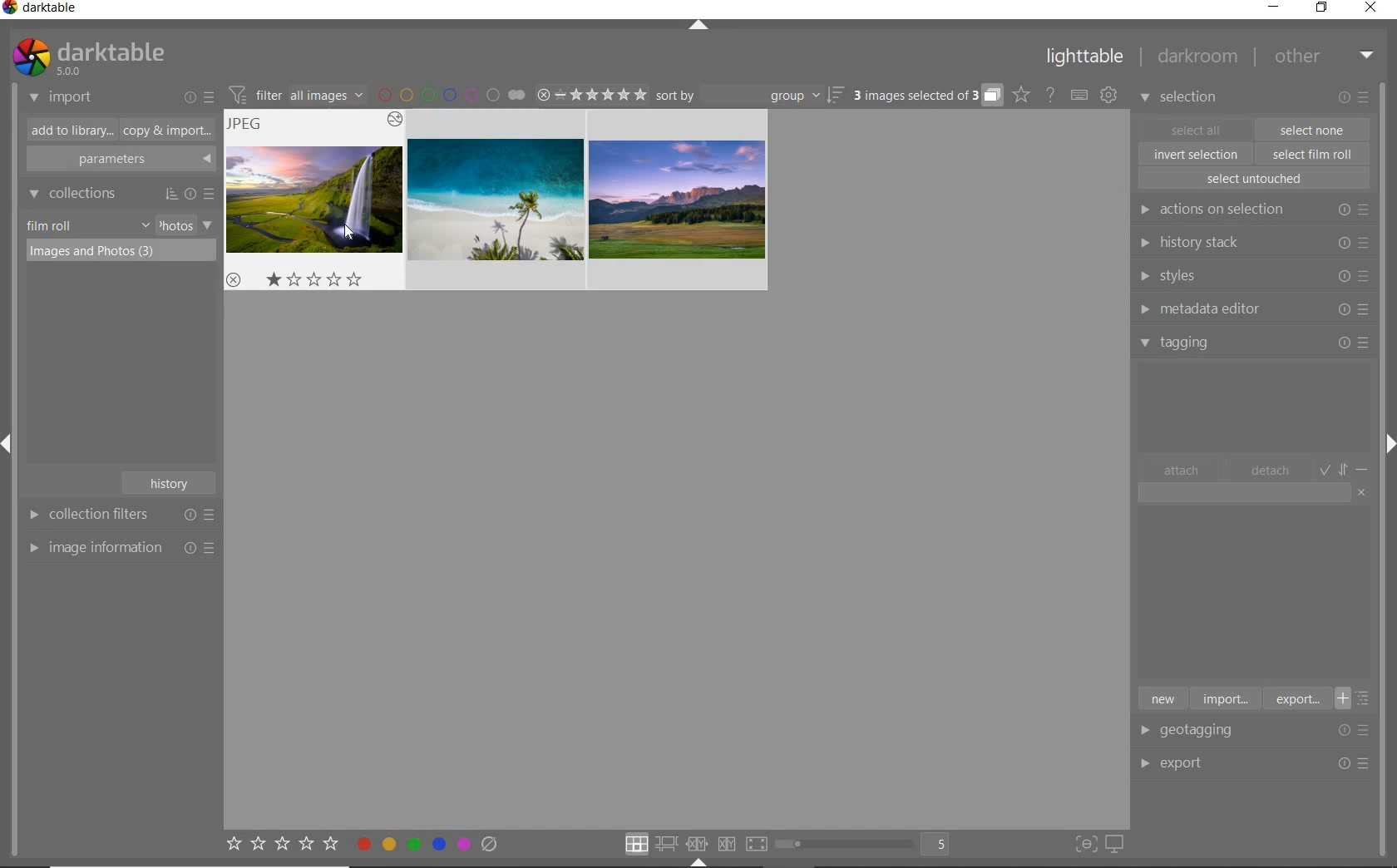  Describe the element at coordinates (121, 547) in the screenshot. I see `image information` at that location.